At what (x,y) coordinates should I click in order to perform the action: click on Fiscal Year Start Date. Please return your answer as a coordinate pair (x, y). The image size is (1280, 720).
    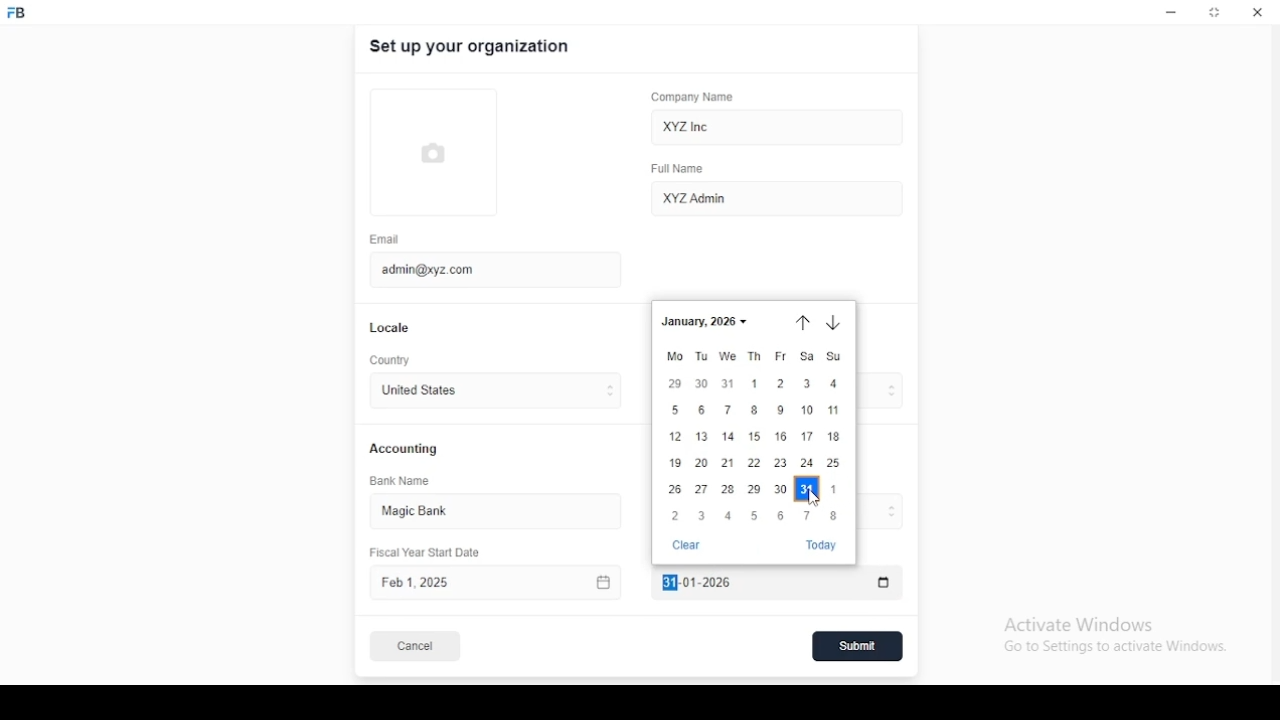
    Looking at the image, I should click on (432, 553).